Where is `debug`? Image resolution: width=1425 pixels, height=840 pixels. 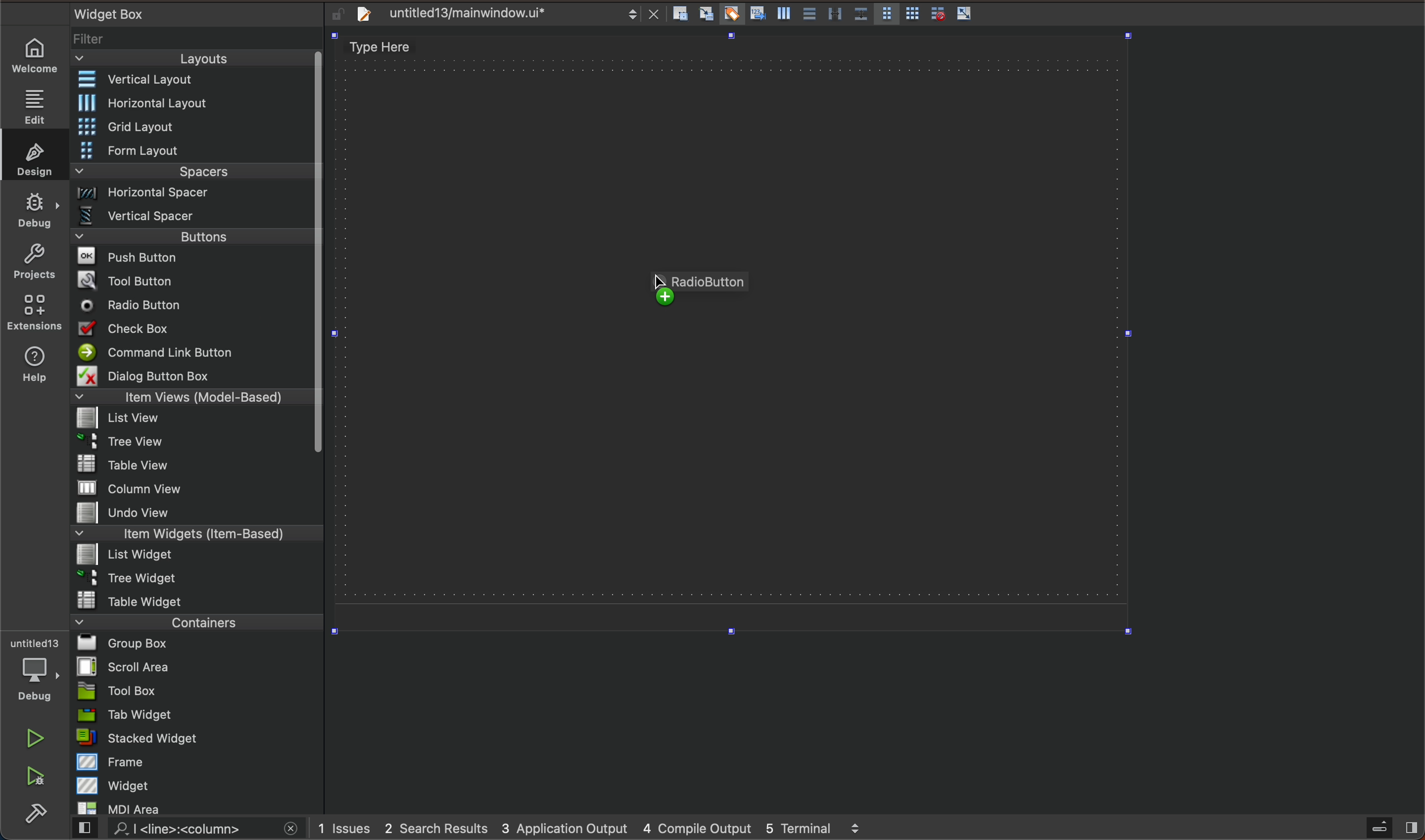
debug is located at coordinates (41, 671).